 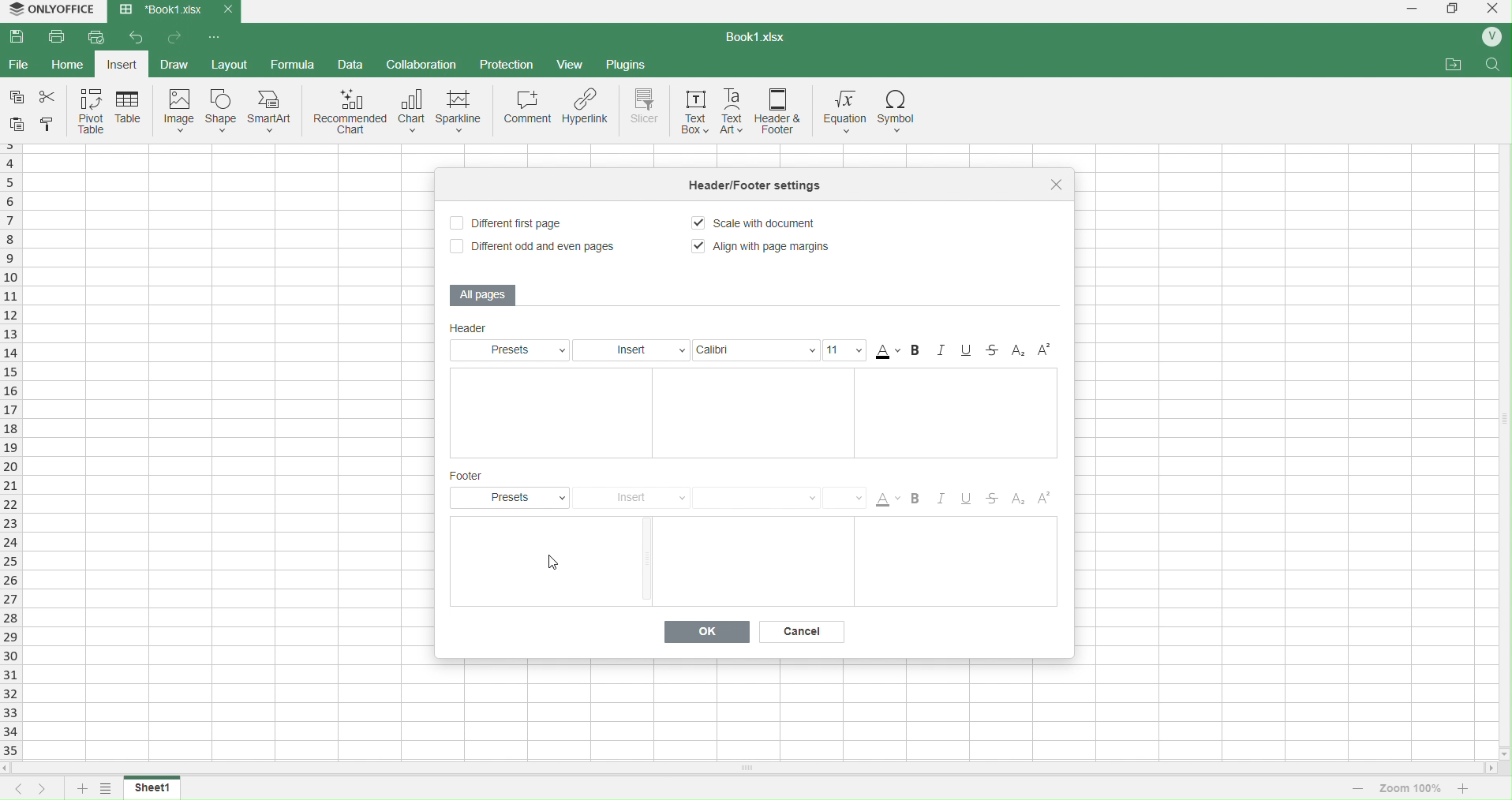 I want to click on Book1.xlsx, so click(x=159, y=11).